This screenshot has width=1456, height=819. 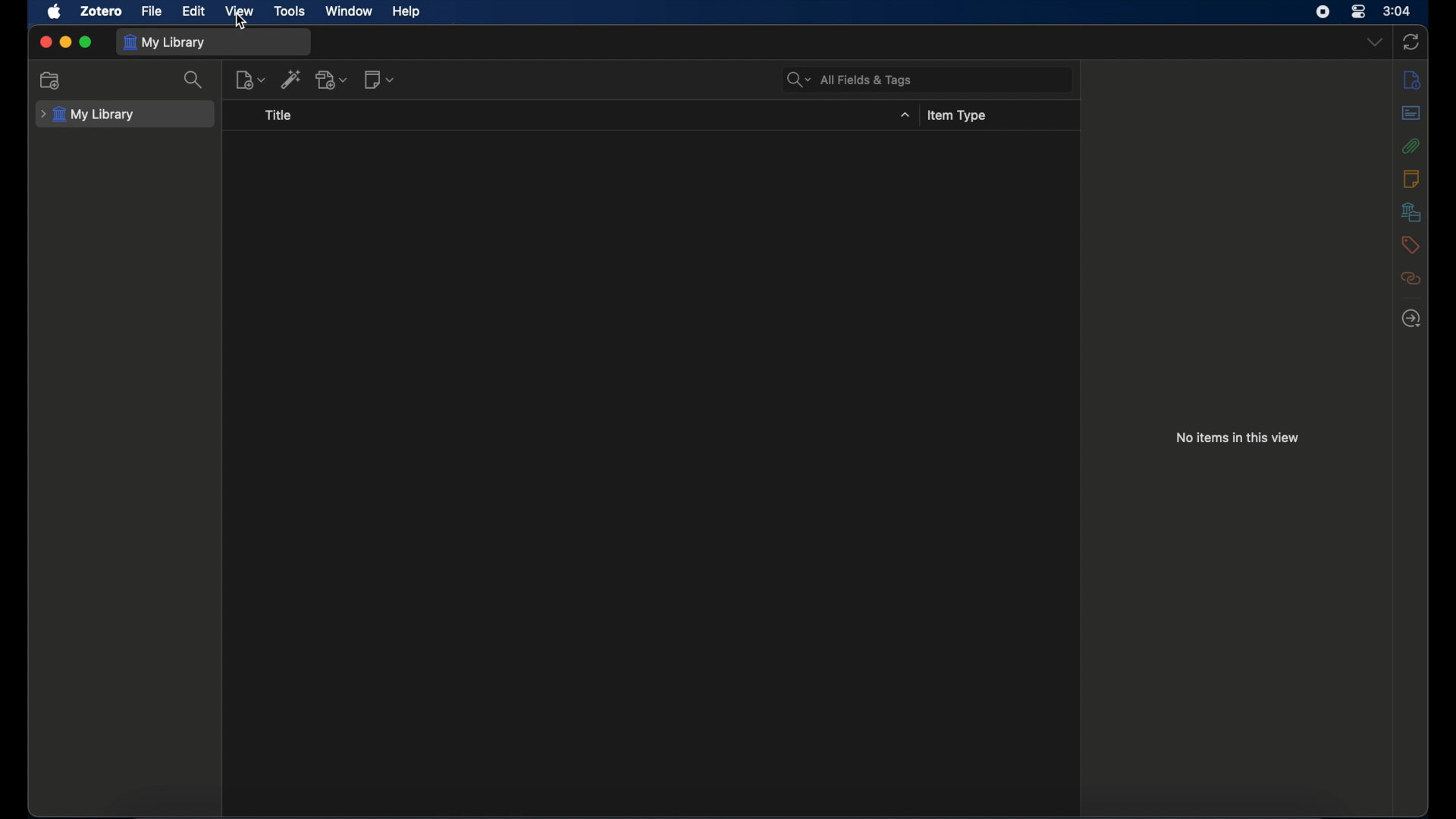 I want to click on dropdown, so click(x=1376, y=41).